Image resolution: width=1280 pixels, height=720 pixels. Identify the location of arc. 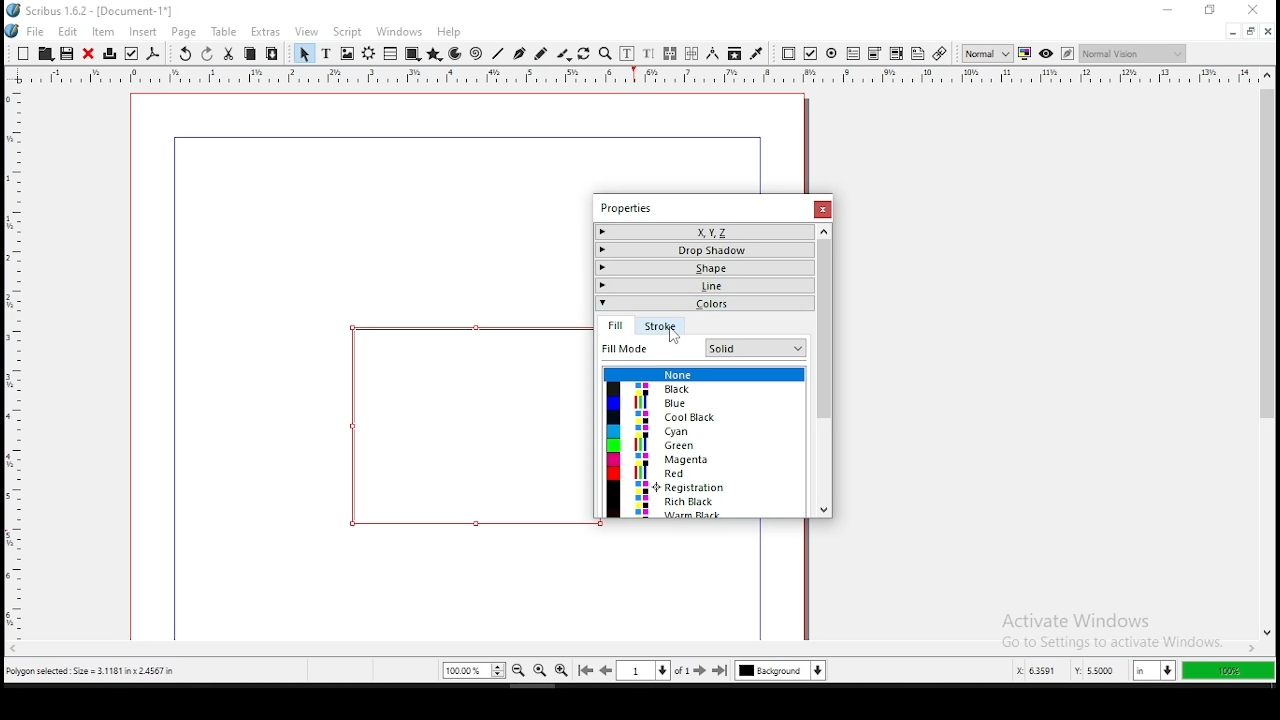
(456, 54).